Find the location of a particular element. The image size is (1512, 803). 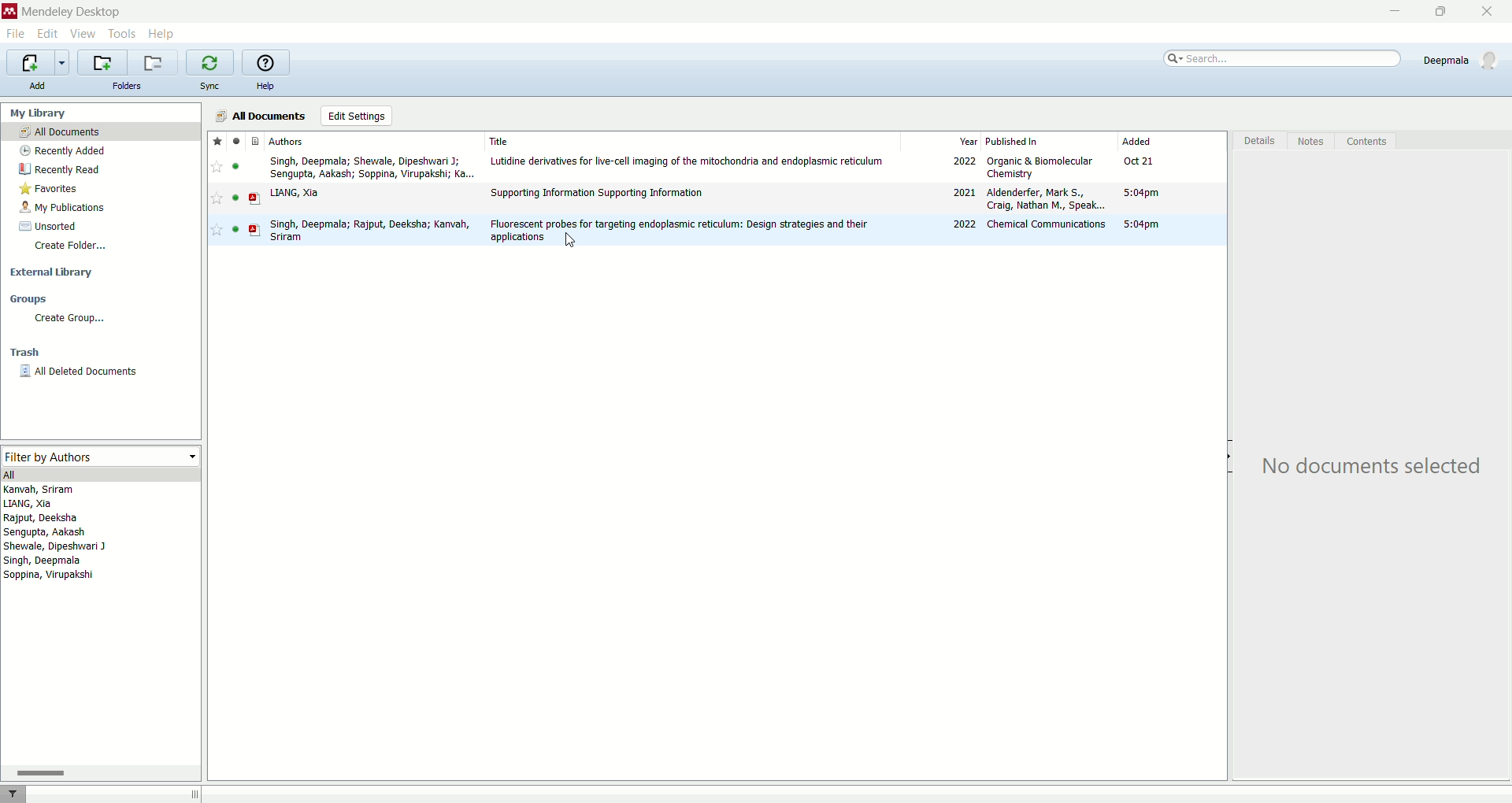

read/unread is located at coordinates (232, 230).